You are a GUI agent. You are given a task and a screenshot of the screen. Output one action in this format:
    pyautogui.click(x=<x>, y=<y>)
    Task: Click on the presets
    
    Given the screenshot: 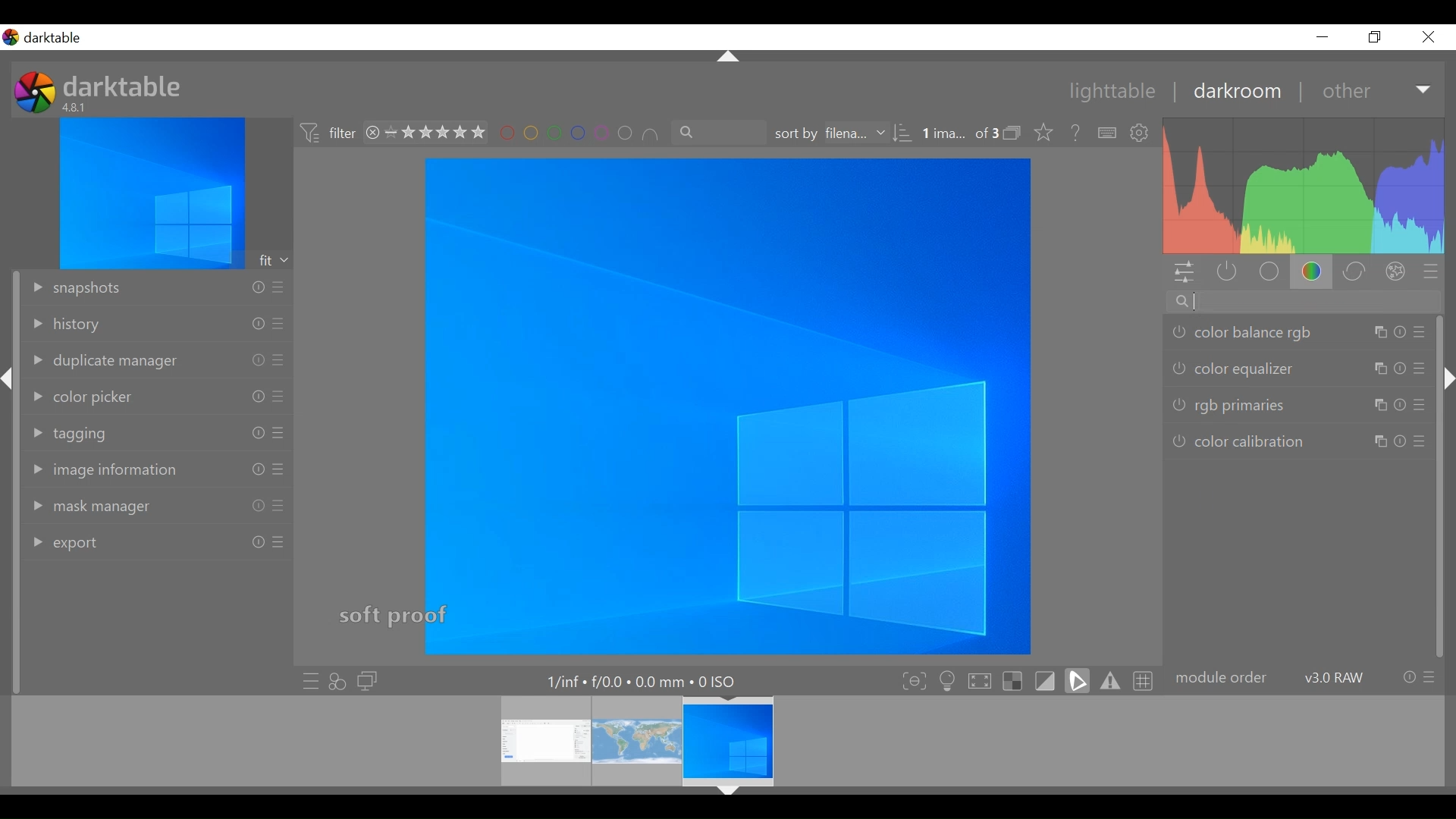 What is the action you would take?
    pyautogui.click(x=1432, y=273)
    